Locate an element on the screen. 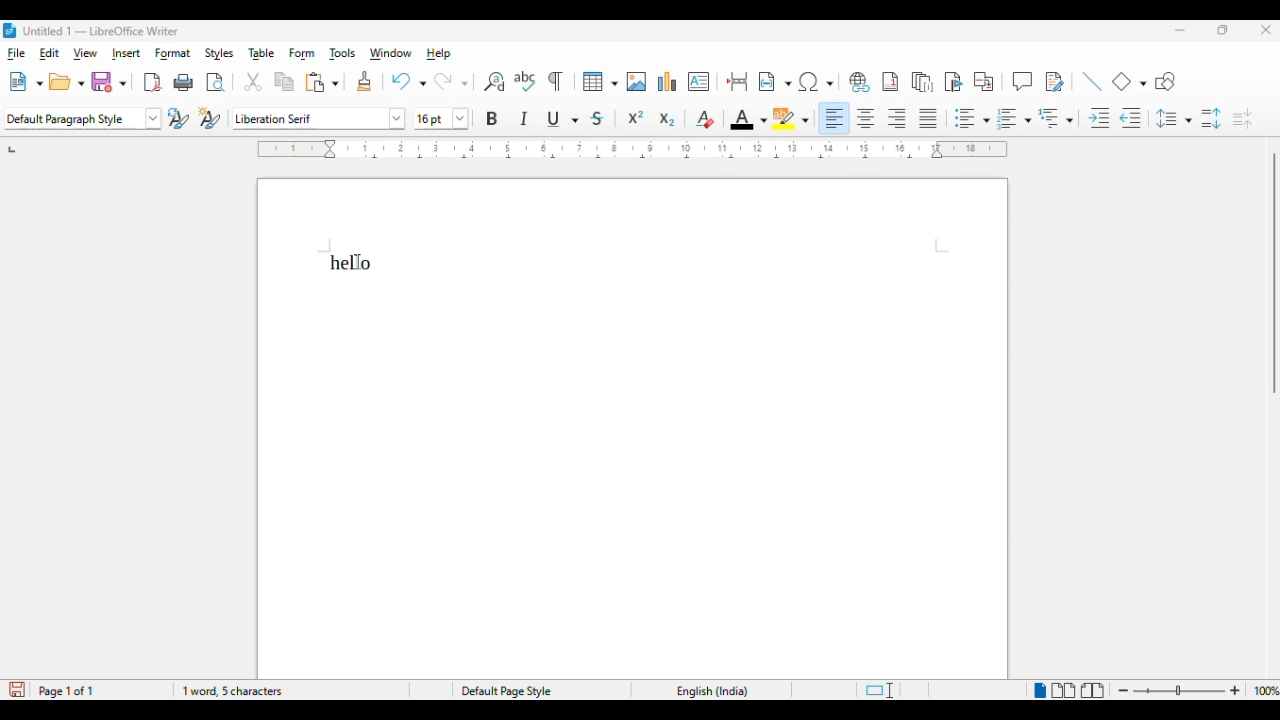 The image size is (1280, 720). justified is located at coordinates (929, 118).